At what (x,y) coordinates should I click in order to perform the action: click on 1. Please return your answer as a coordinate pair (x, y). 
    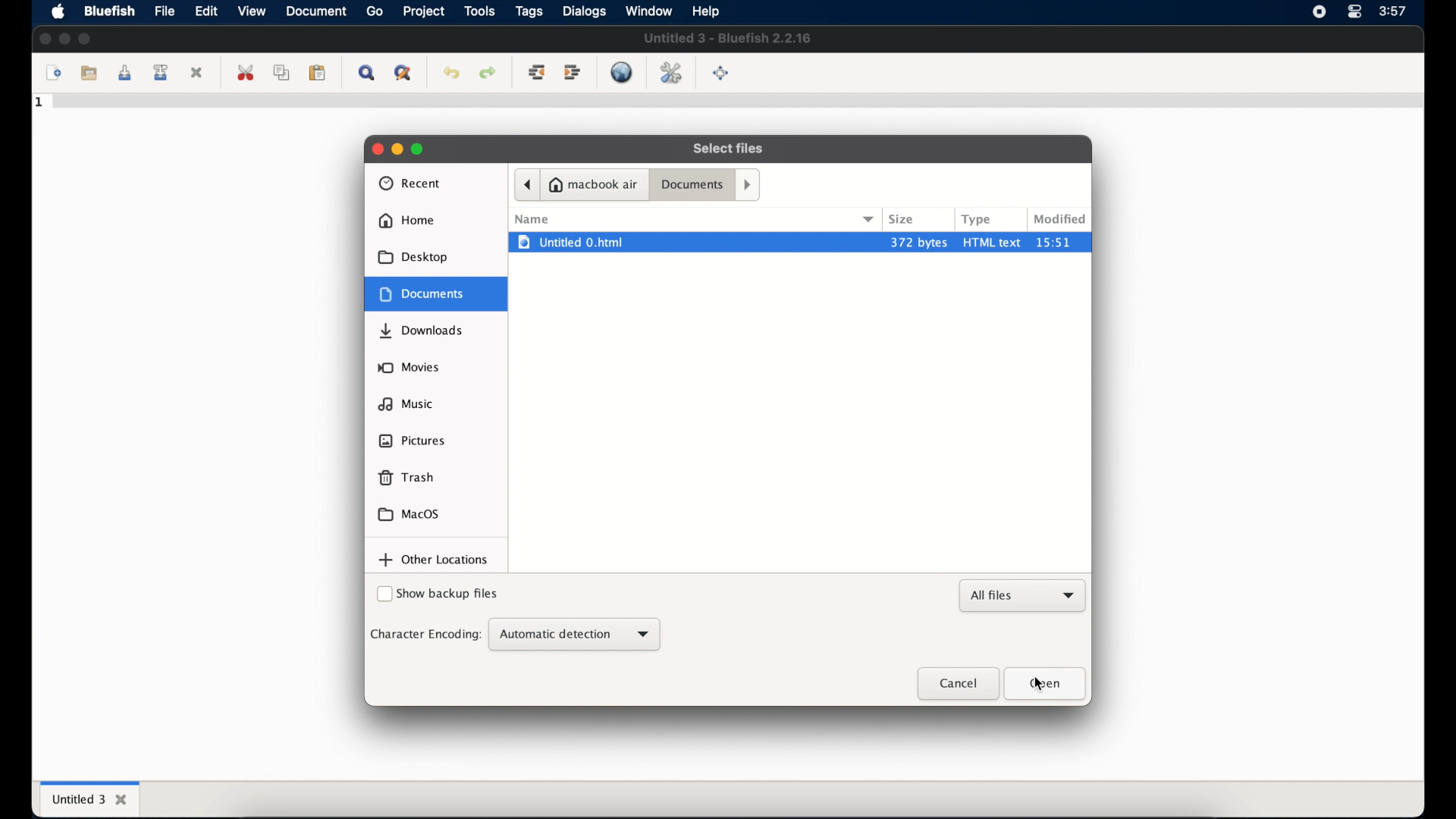
    Looking at the image, I should click on (40, 102).